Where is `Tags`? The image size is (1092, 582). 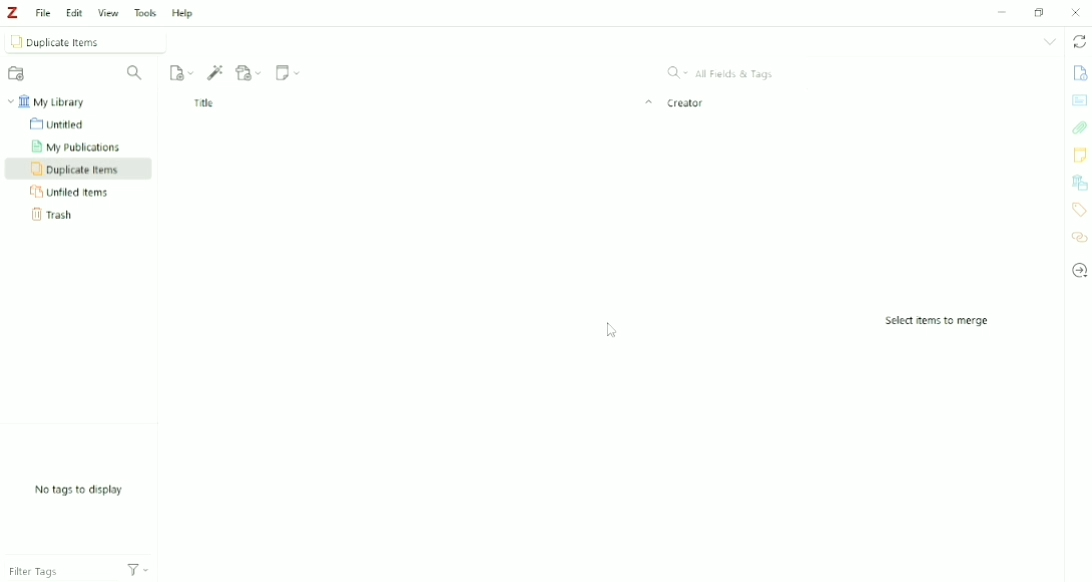 Tags is located at coordinates (1078, 210).